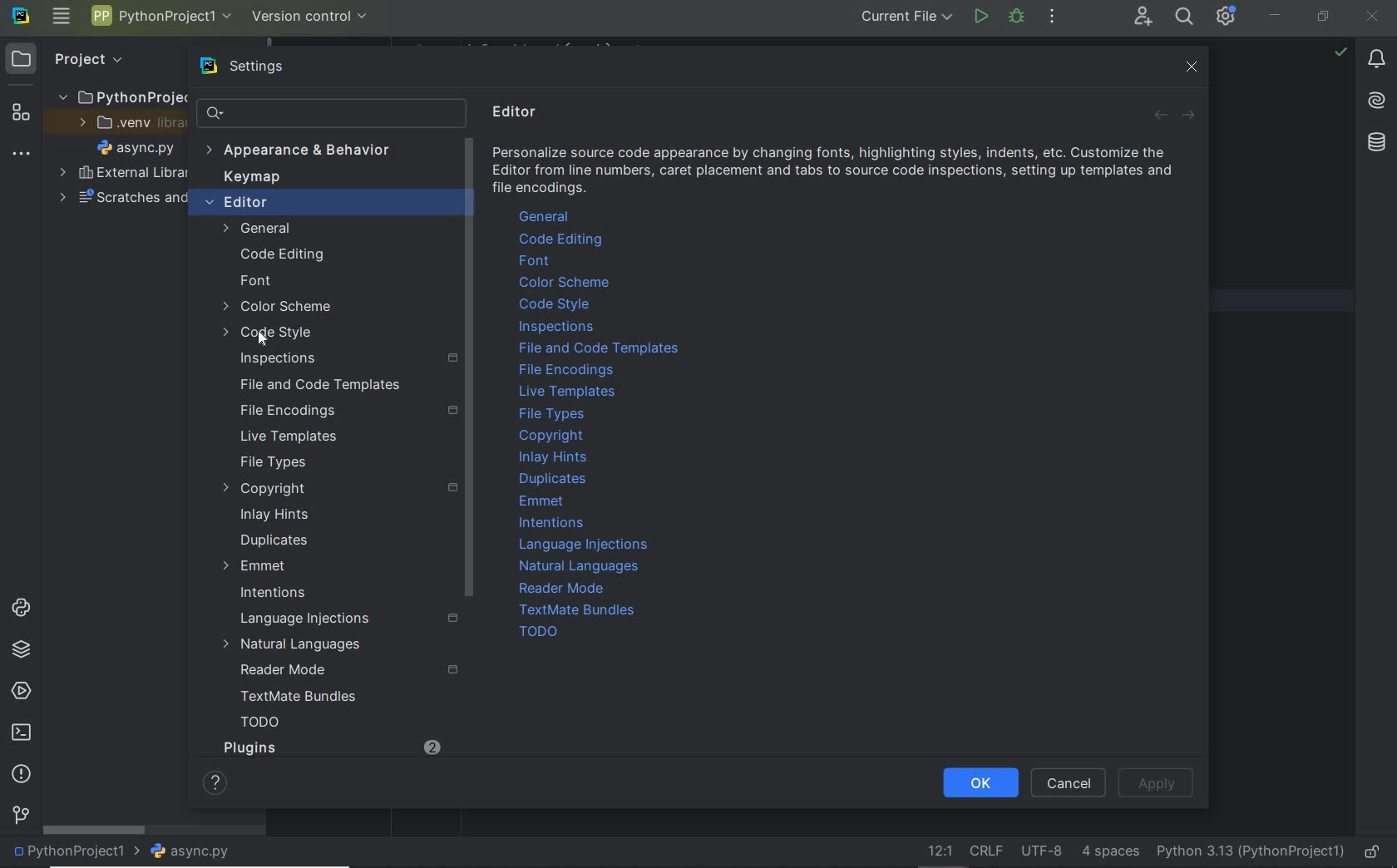 The height and width of the screenshot is (868, 1397). What do you see at coordinates (140, 150) in the screenshot?
I see `file name` at bounding box center [140, 150].